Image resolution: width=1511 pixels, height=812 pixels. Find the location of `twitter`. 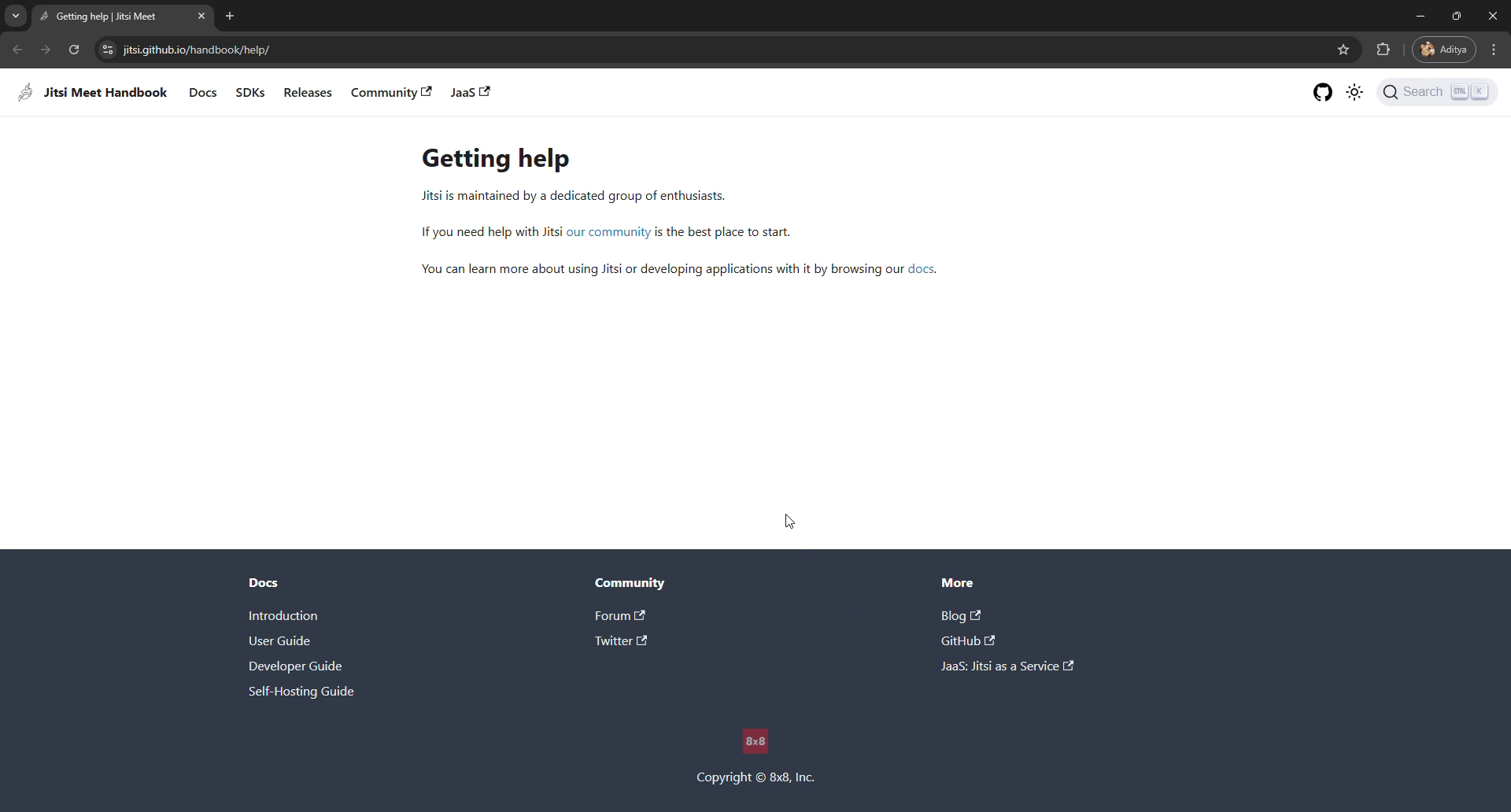

twitter is located at coordinates (624, 643).